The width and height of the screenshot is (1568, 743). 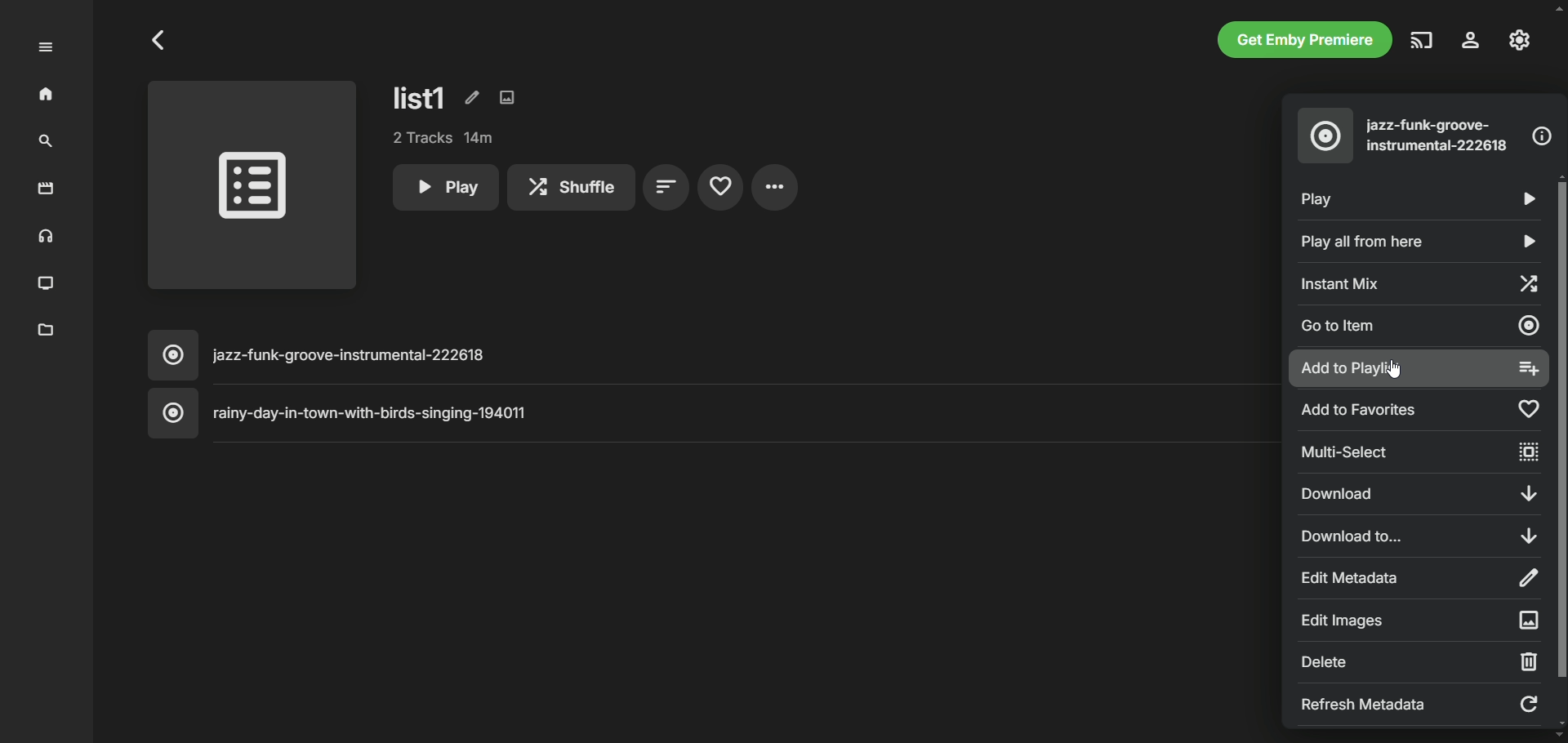 What do you see at coordinates (1305, 39) in the screenshot?
I see `get emby premiere` at bounding box center [1305, 39].